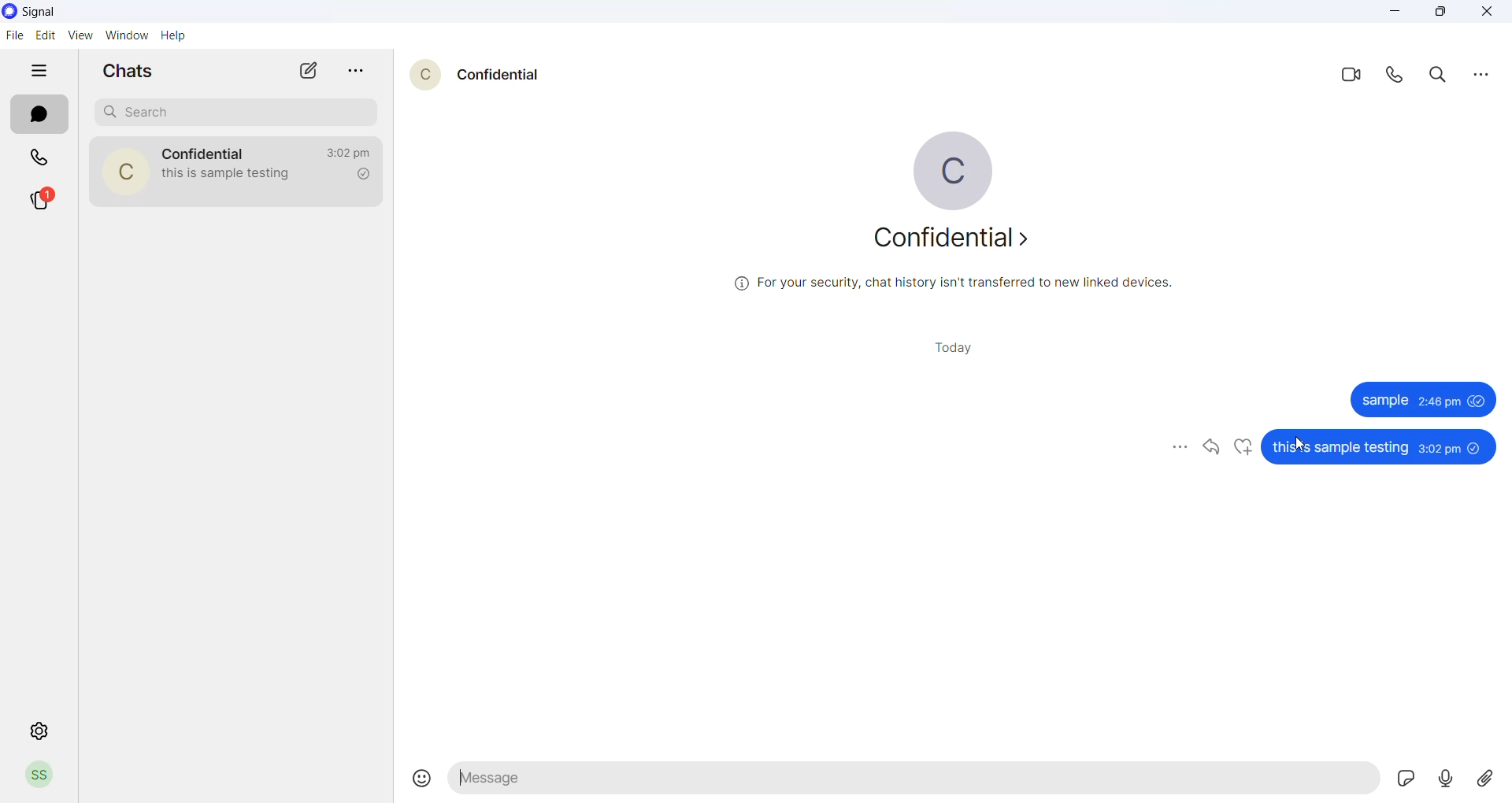 The height and width of the screenshot is (803, 1512). Describe the element at coordinates (1397, 77) in the screenshot. I see `call` at that location.